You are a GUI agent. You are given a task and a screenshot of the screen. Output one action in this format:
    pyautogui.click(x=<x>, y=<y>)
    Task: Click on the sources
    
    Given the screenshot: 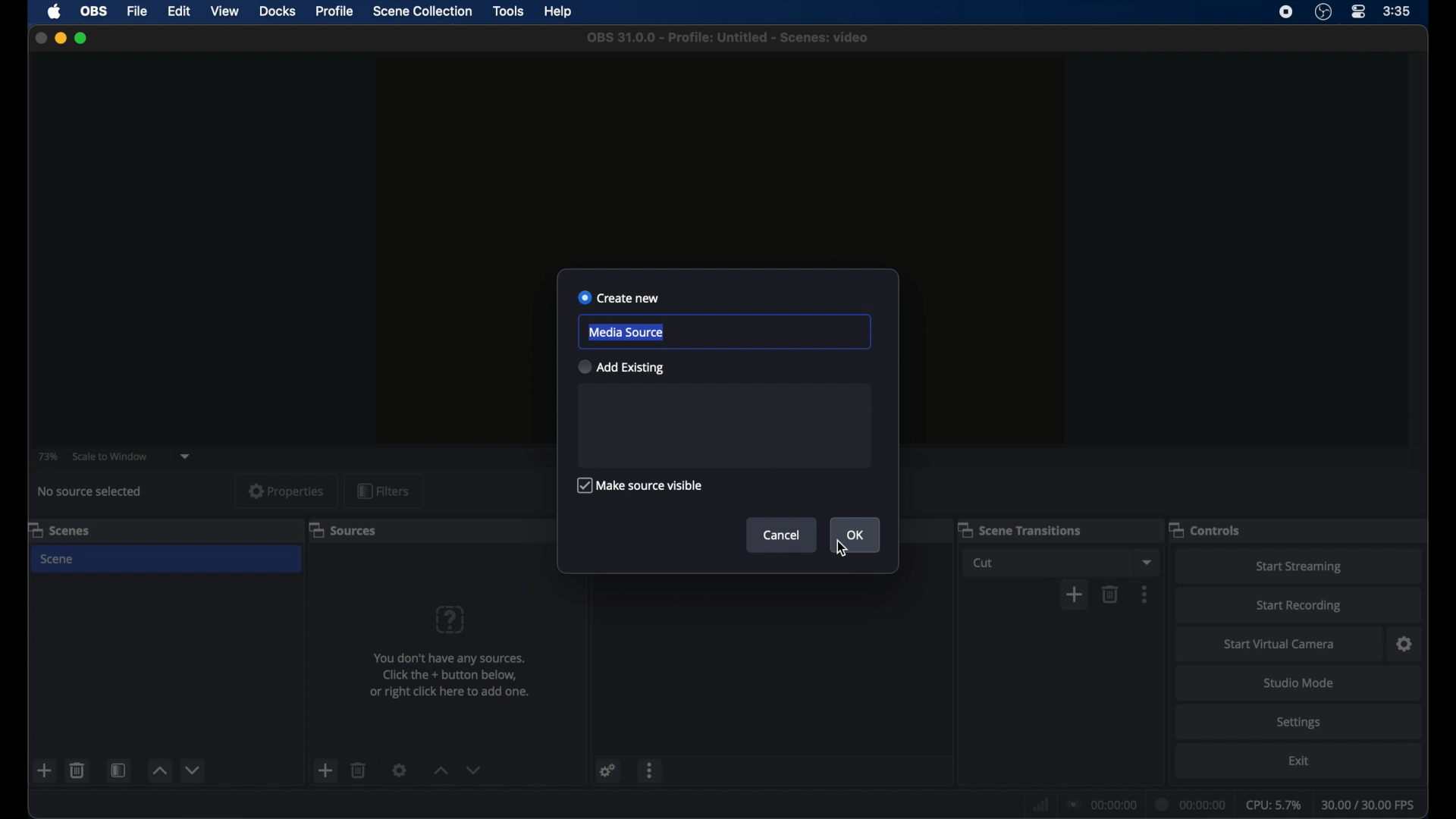 What is the action you would take?
    pyautogui.click(x=343, y=529)
    